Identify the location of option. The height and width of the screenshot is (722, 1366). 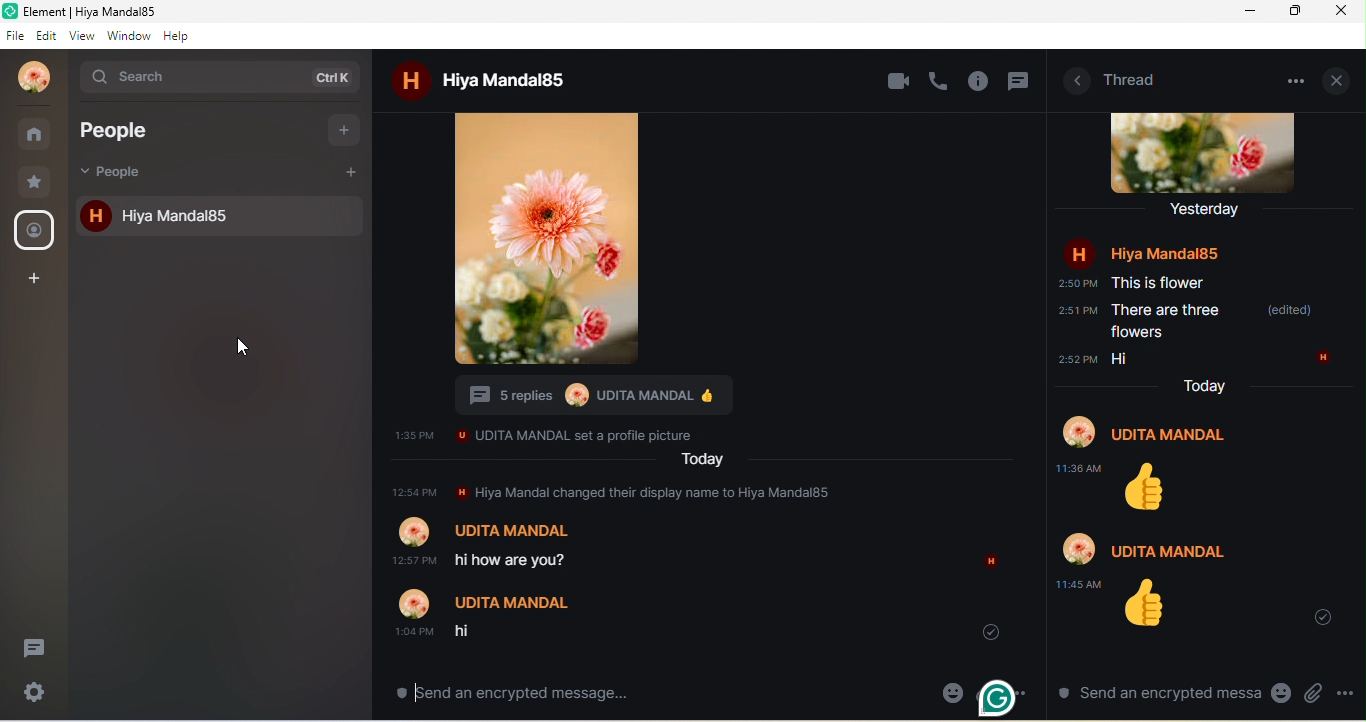
(1347, 692).